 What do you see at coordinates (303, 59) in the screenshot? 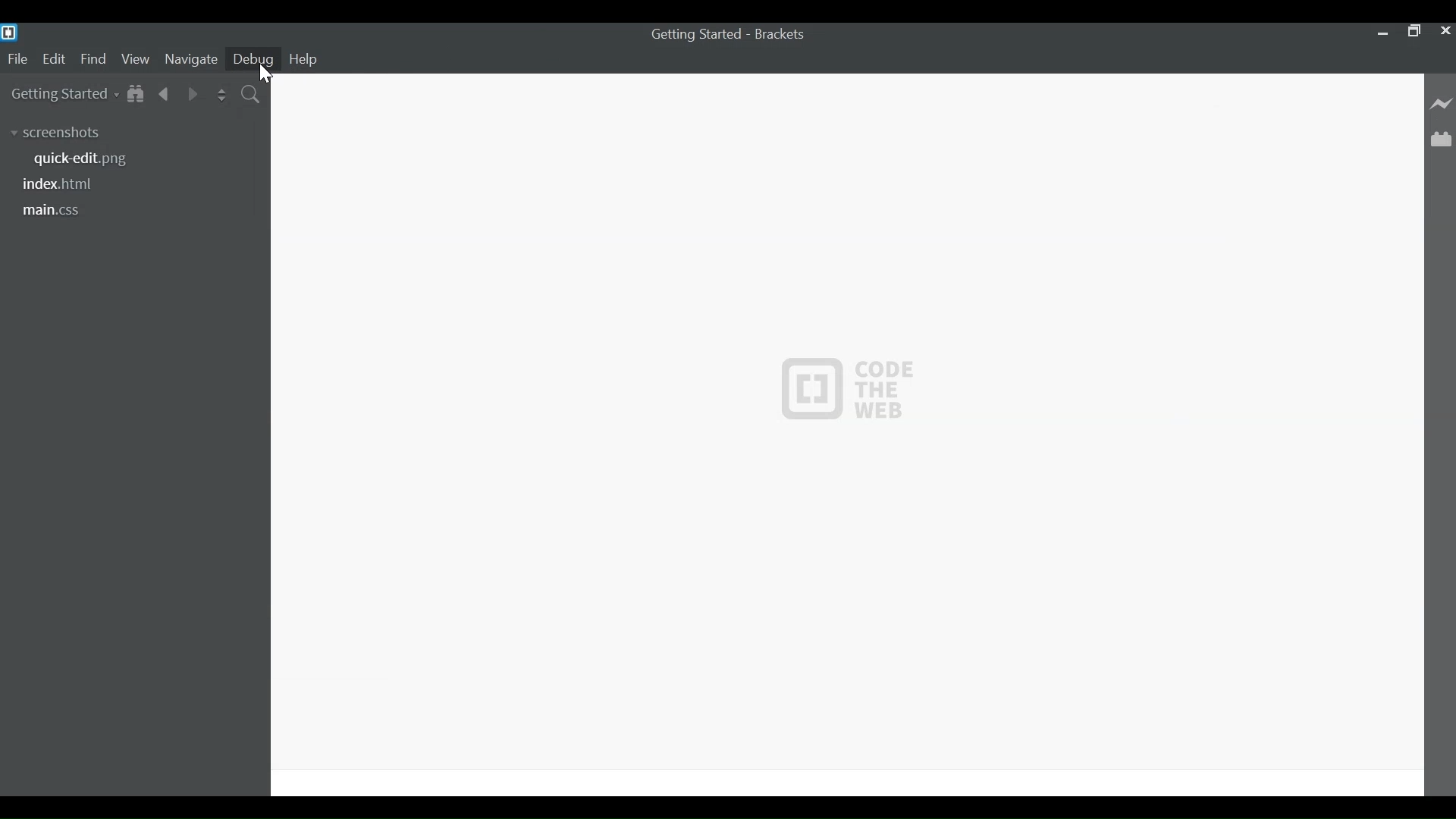
I see `Help` at bounding box center [303, 59].